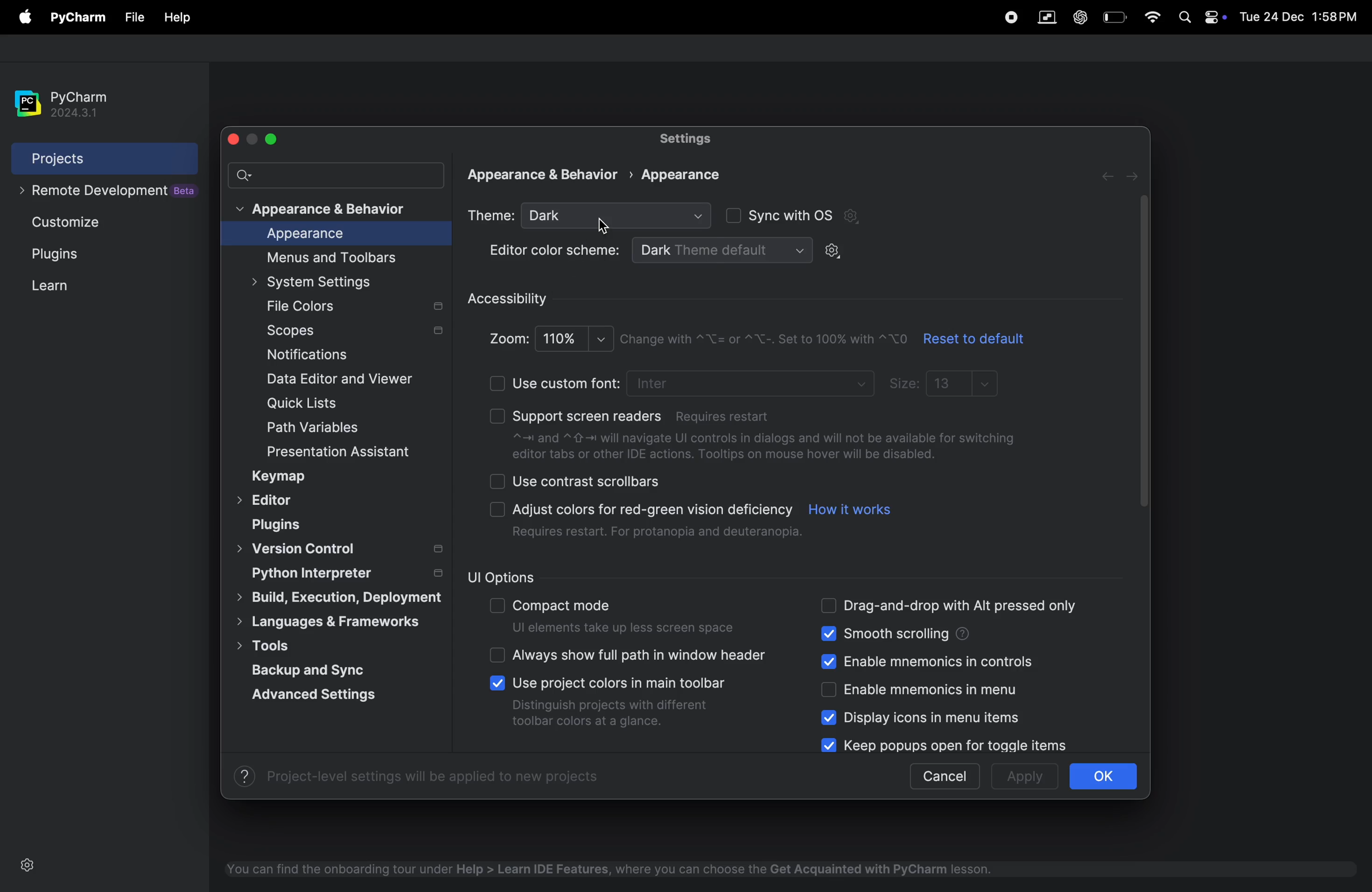  I want to click on always show full path in window header, so click(645, 655).